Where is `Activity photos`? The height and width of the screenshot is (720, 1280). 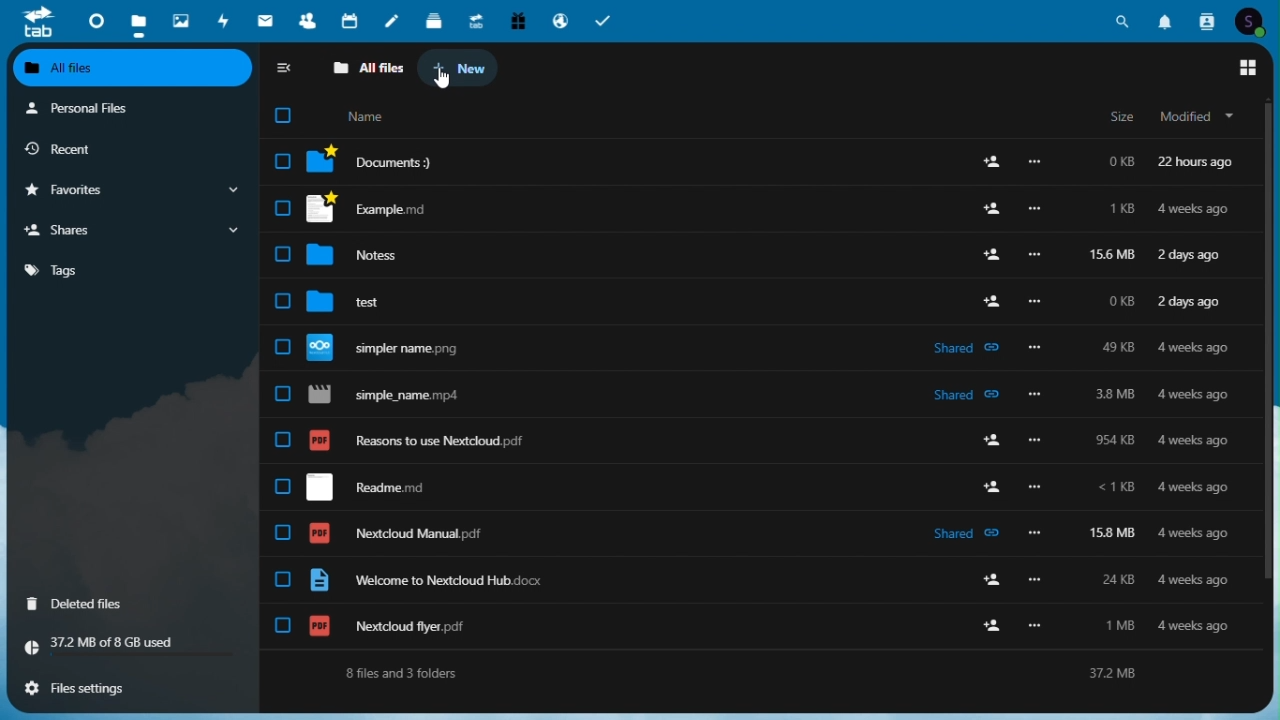 Activity photos is located at coordinates (225, 20).